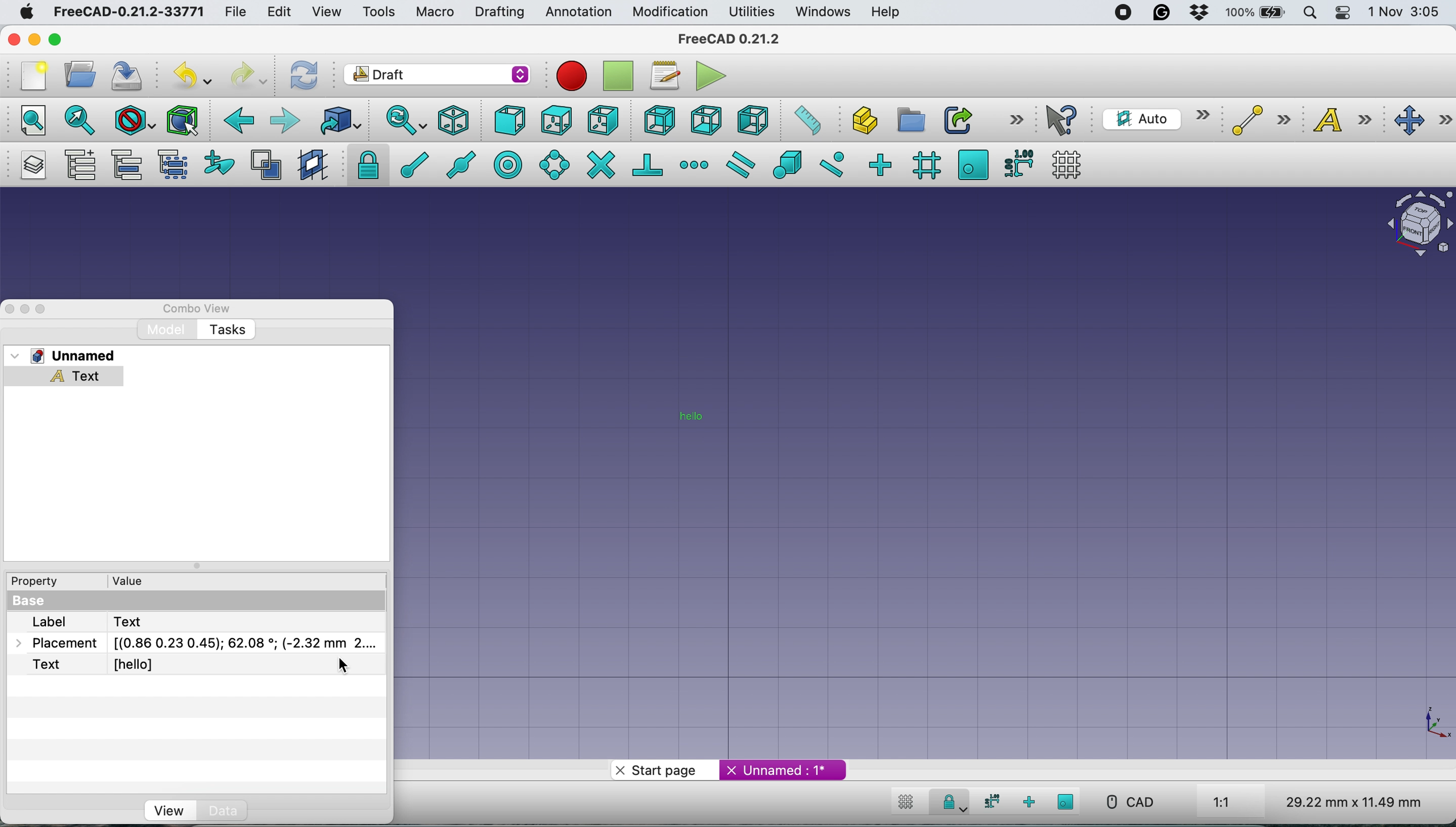 Image resolution: width=1456 pixels, height=827 pixels. Describe the element at coordinates (338, 120) in the screenshot. I see `go to linked object` at that location.